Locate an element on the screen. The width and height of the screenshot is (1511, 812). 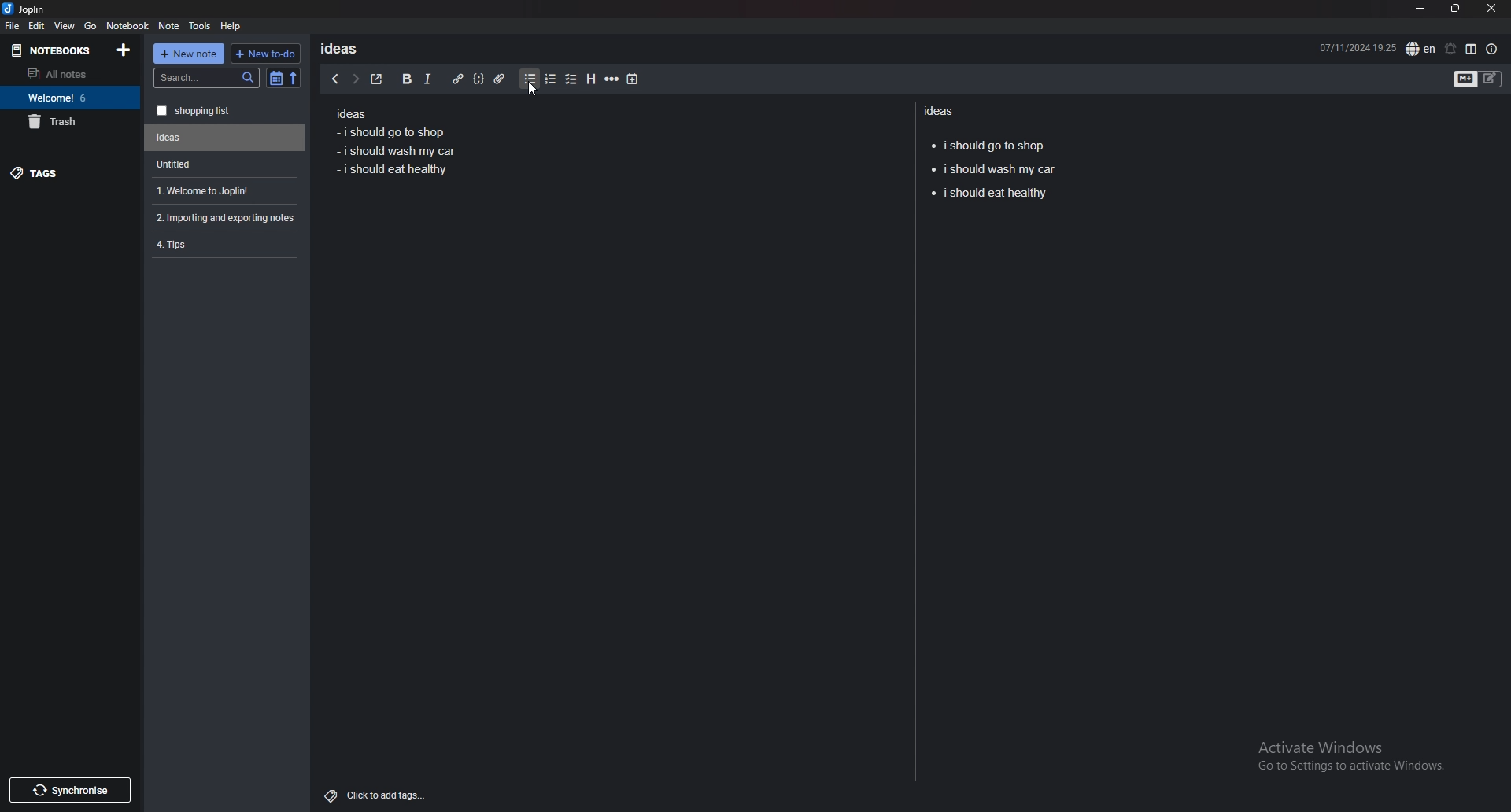
new note is located at coordinates (189, 54).